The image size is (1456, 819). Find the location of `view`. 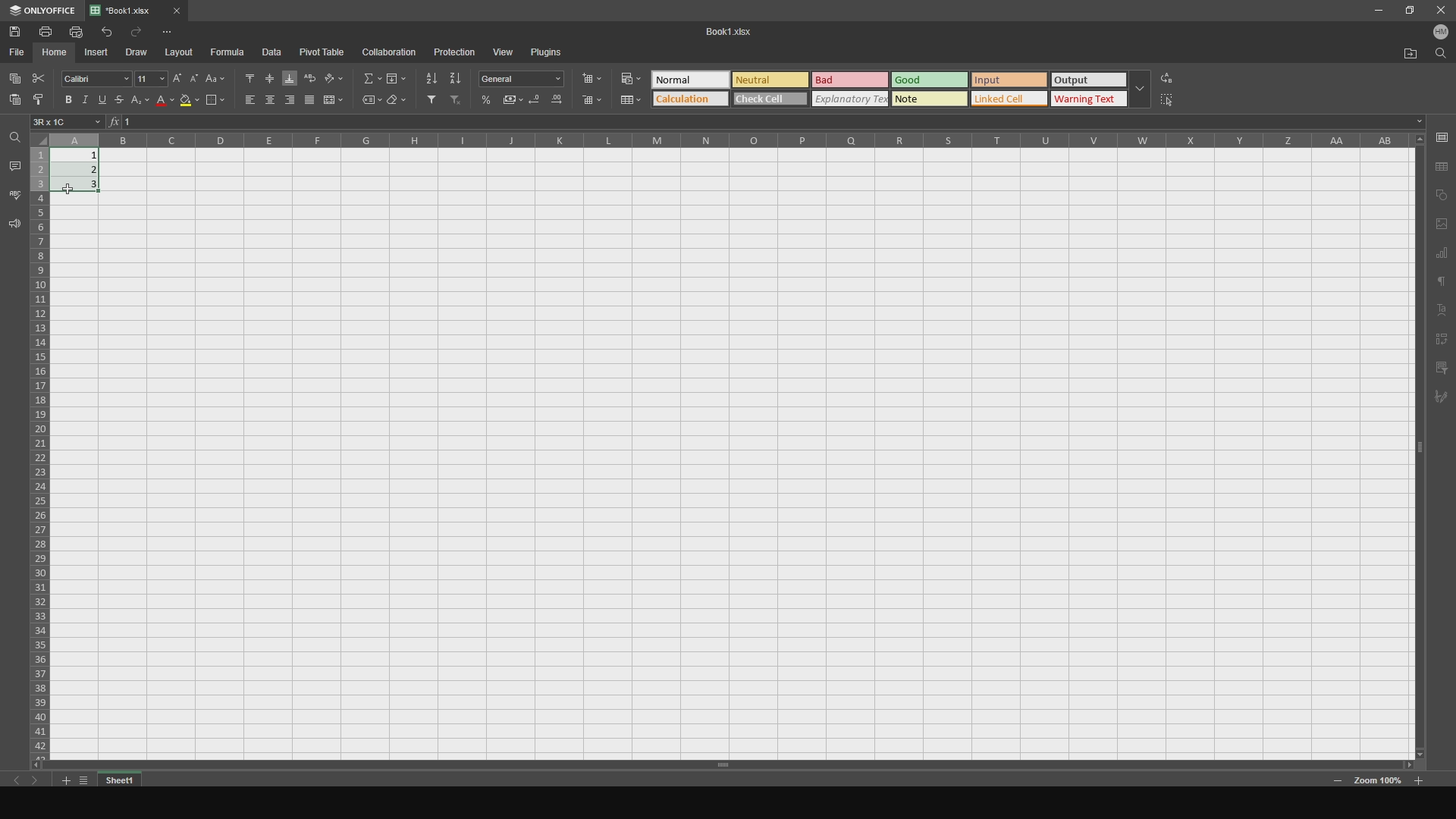

view is located at coordinates (504, 50).